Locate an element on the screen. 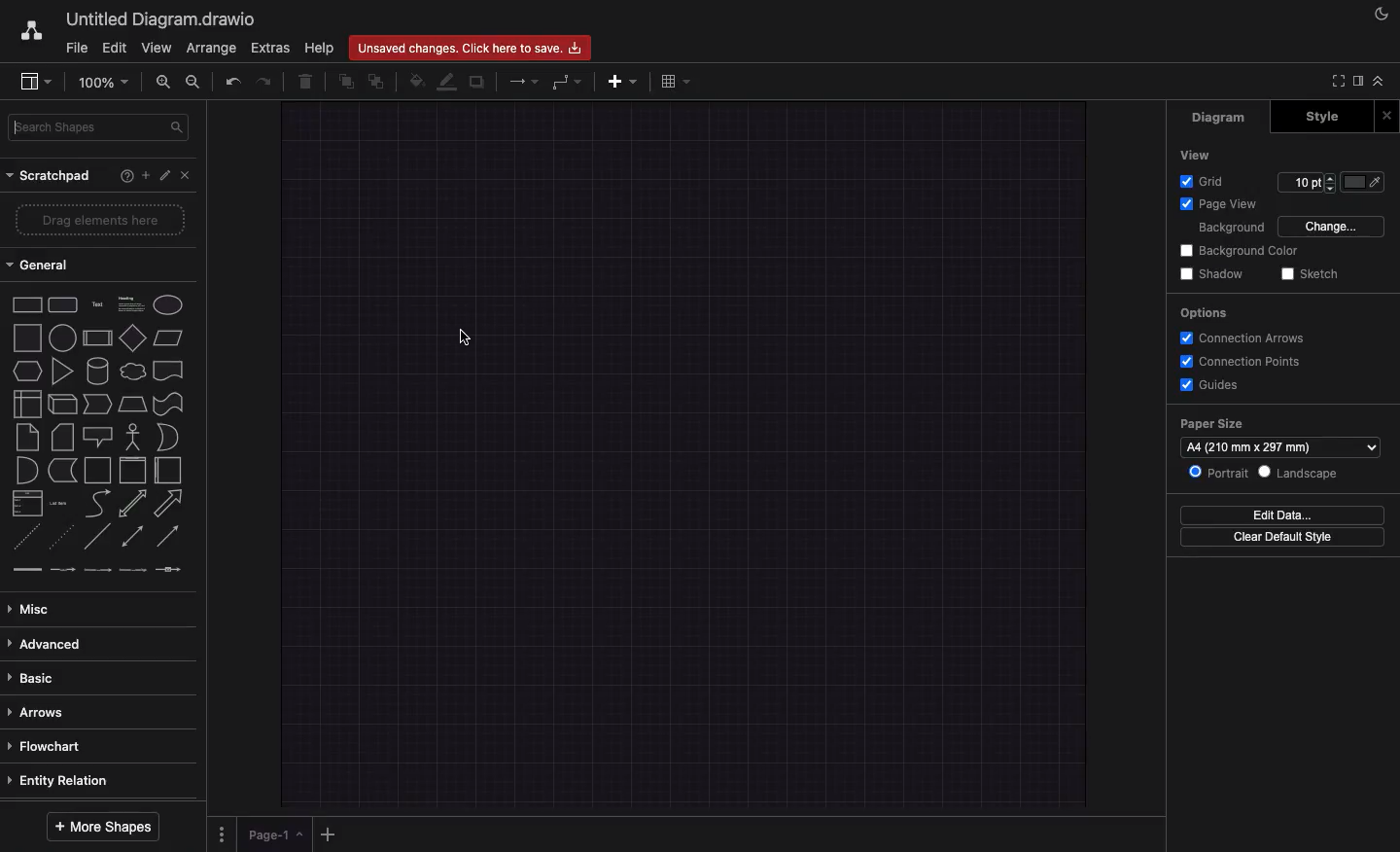 This screenshot has width=1400, height=852. Misc is located at coordinates (34, 609).